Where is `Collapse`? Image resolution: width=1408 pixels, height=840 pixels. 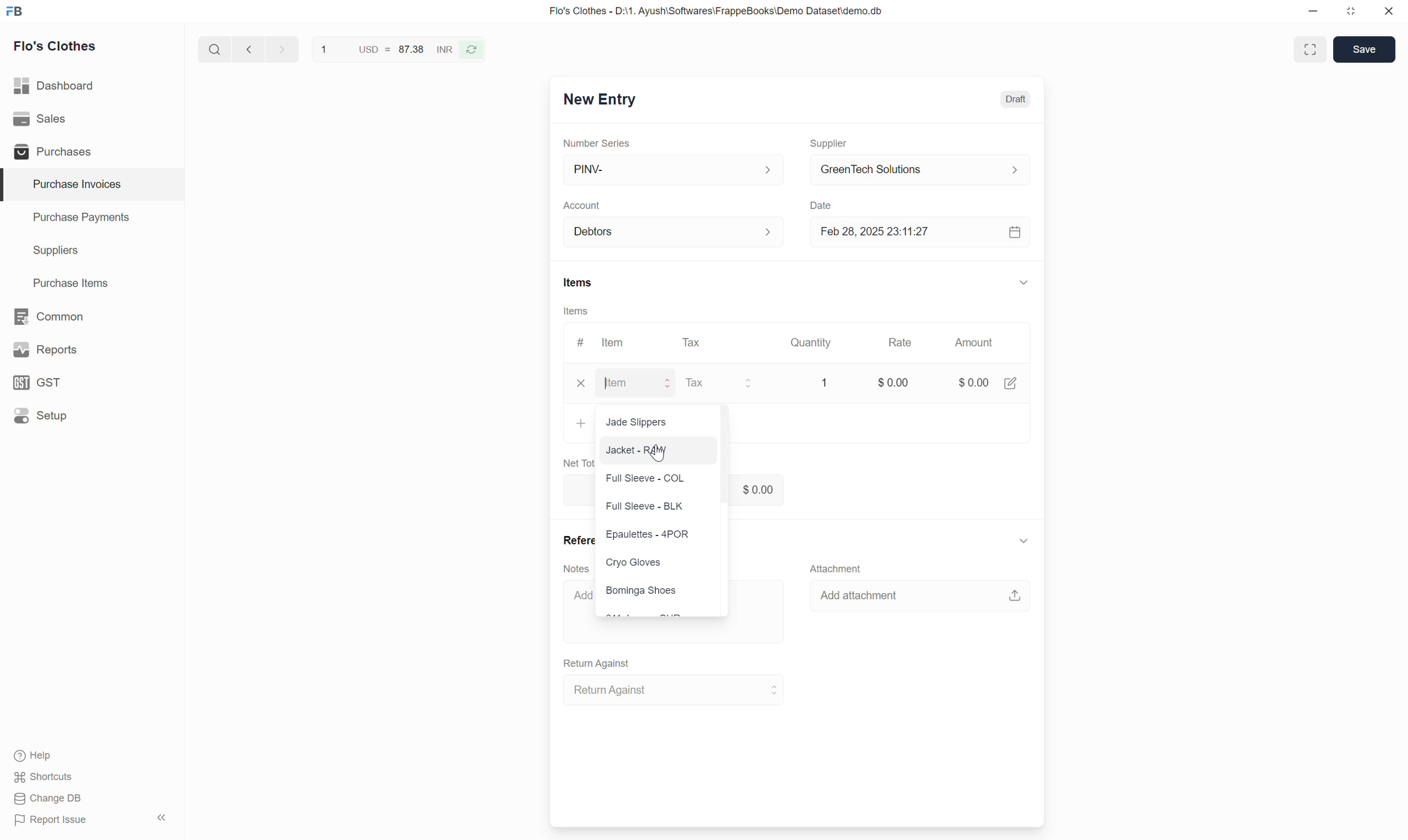
Collapse is located at coordinates (1025, 282).